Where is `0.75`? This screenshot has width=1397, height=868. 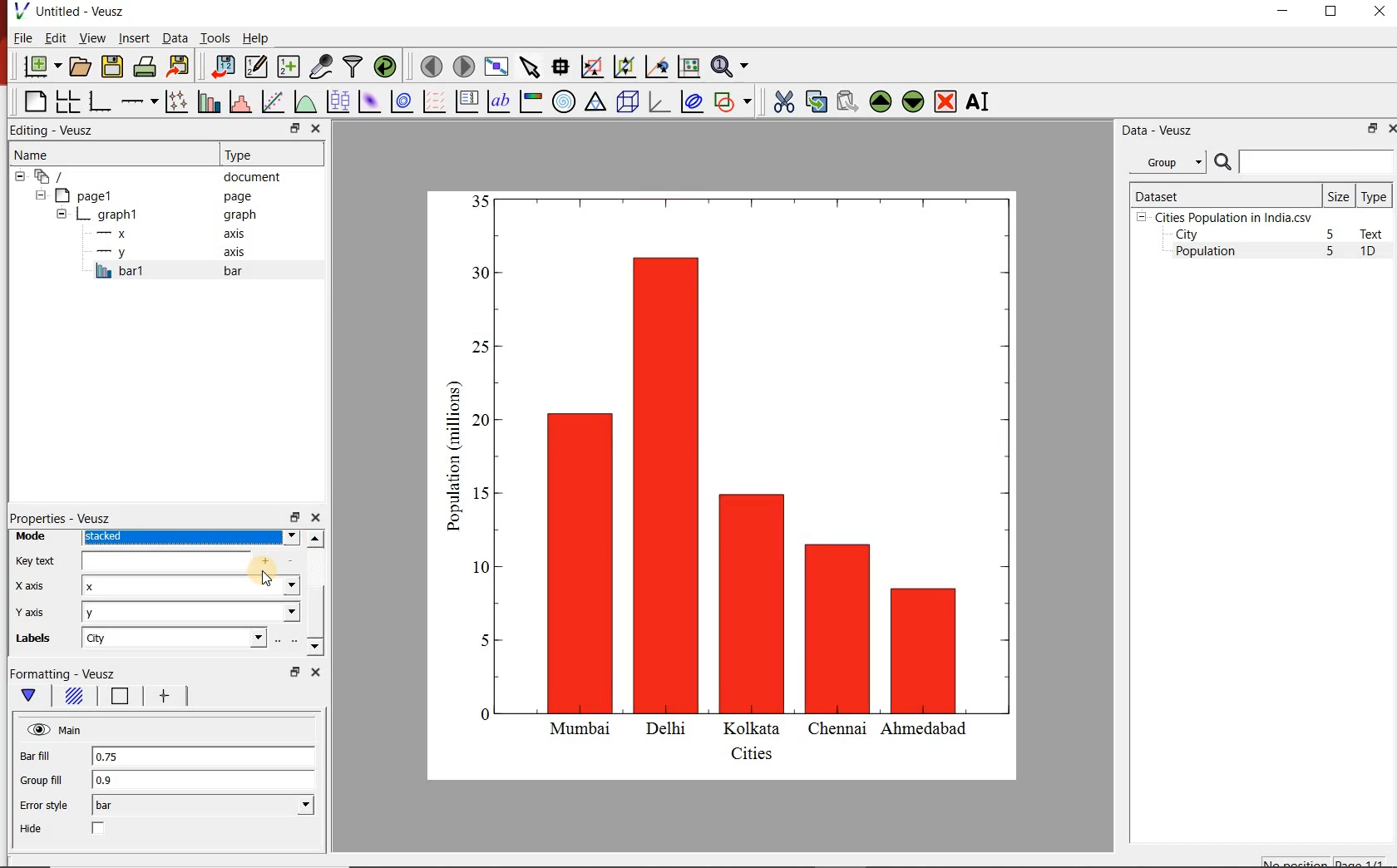 0.75 is located at coordinates (202, 757).